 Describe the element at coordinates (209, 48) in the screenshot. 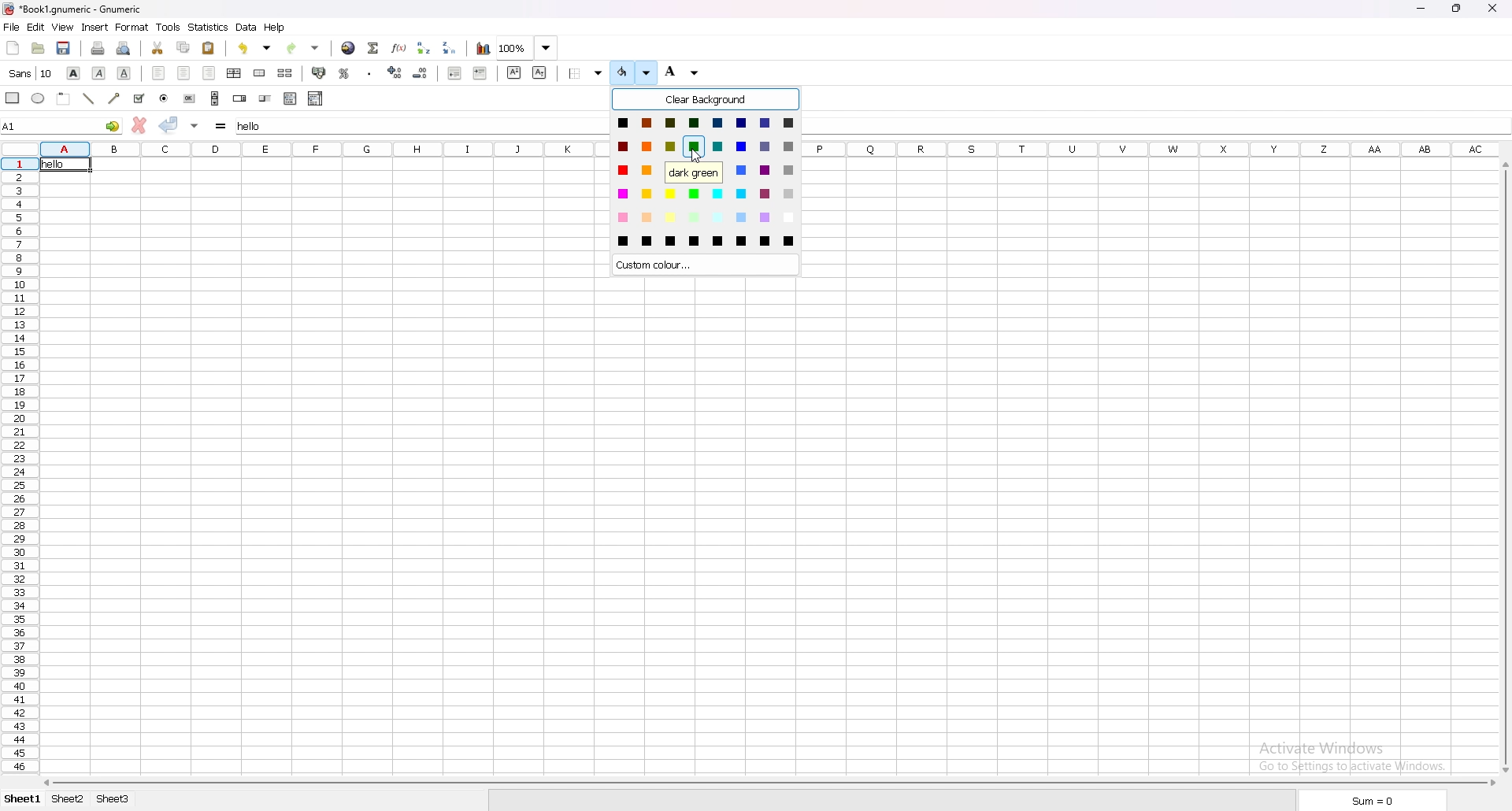

I see `paste` at that location.